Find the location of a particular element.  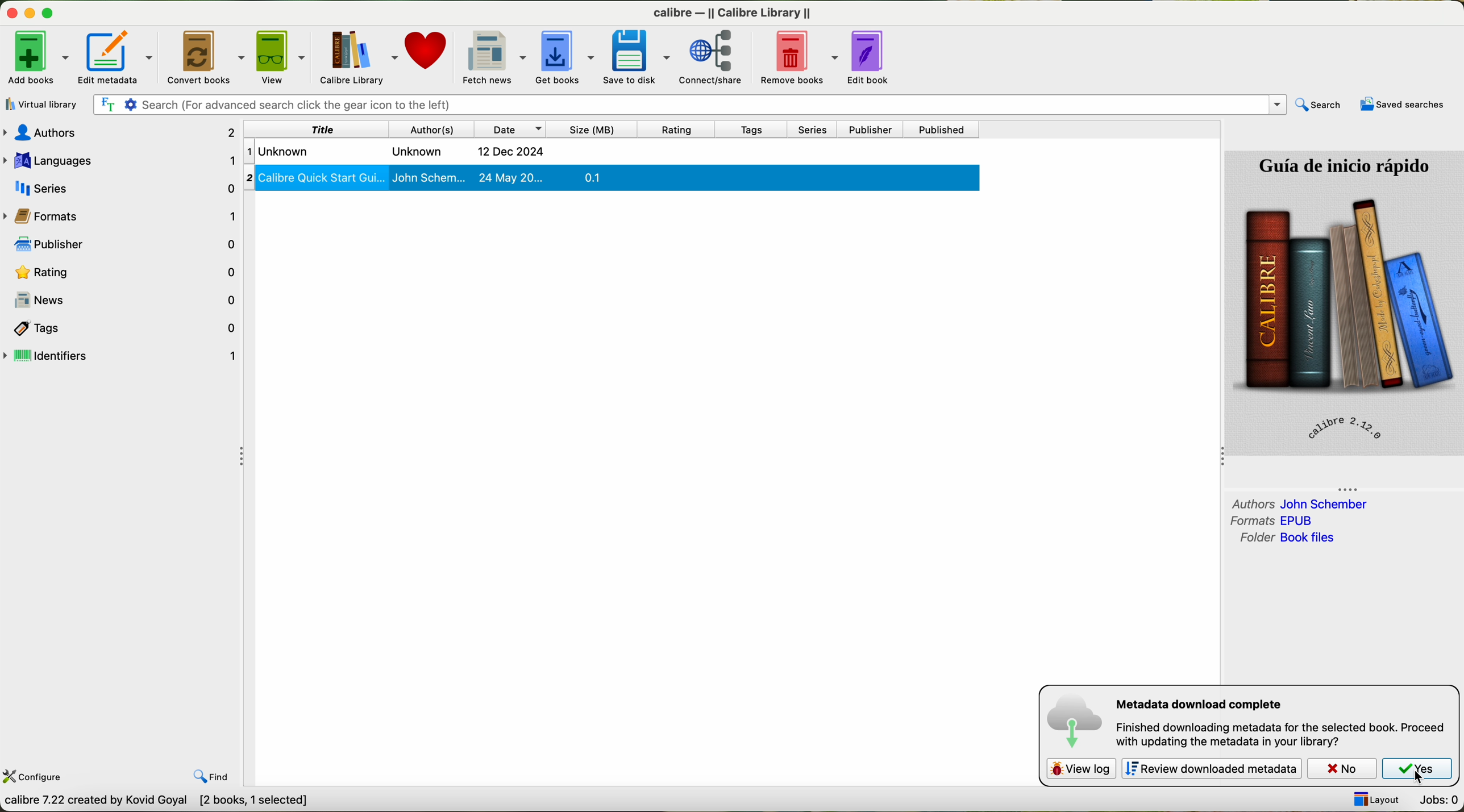

Callibre 7.22 created by Kavid Goyal [0 books] is located at coordinates (135, 802).